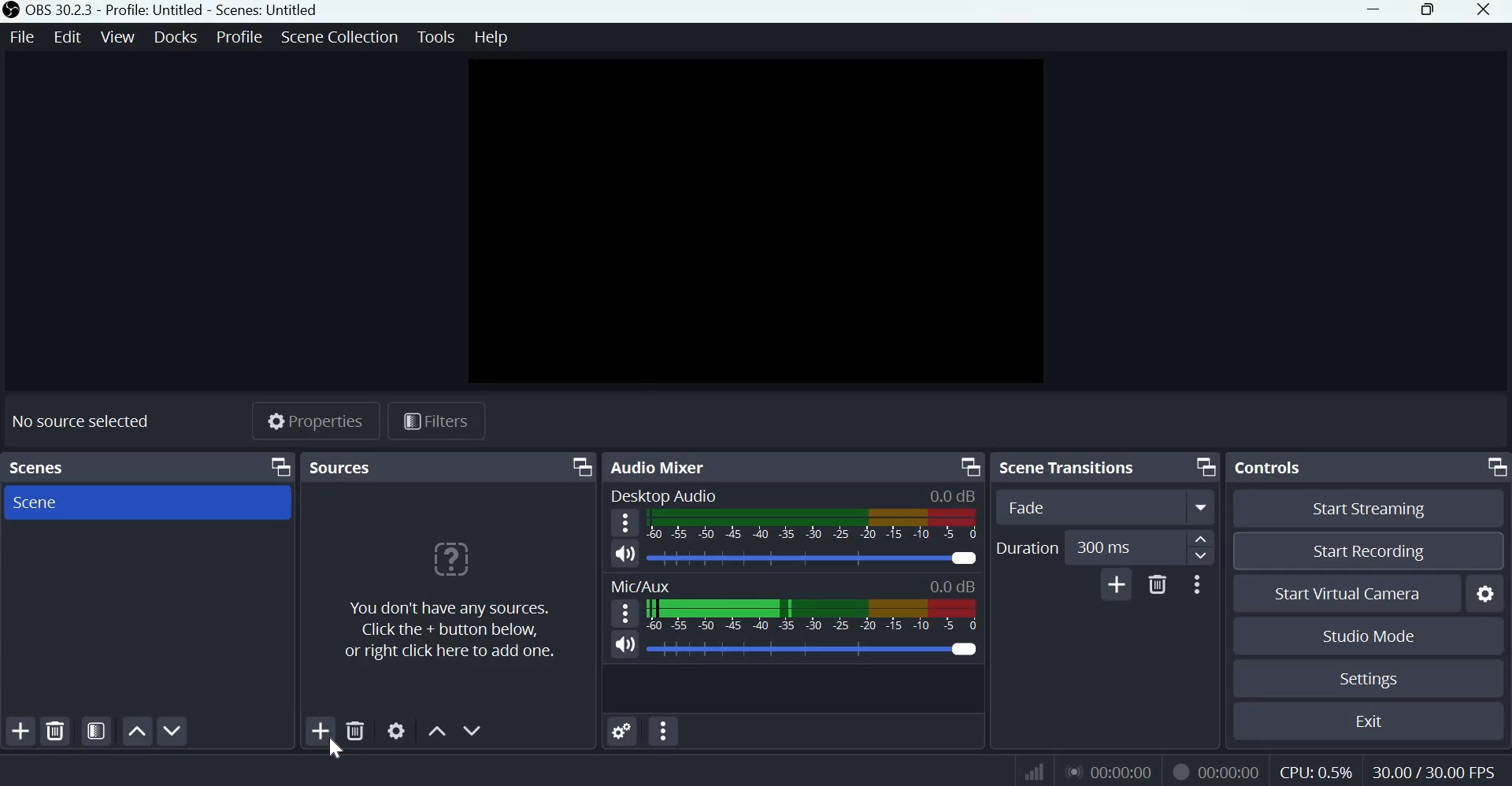 The height and width of the screenshot is (786, 1512). Describe the element at coordinates (1376, 11) in the screenshot. I see `Minimize` at that location.